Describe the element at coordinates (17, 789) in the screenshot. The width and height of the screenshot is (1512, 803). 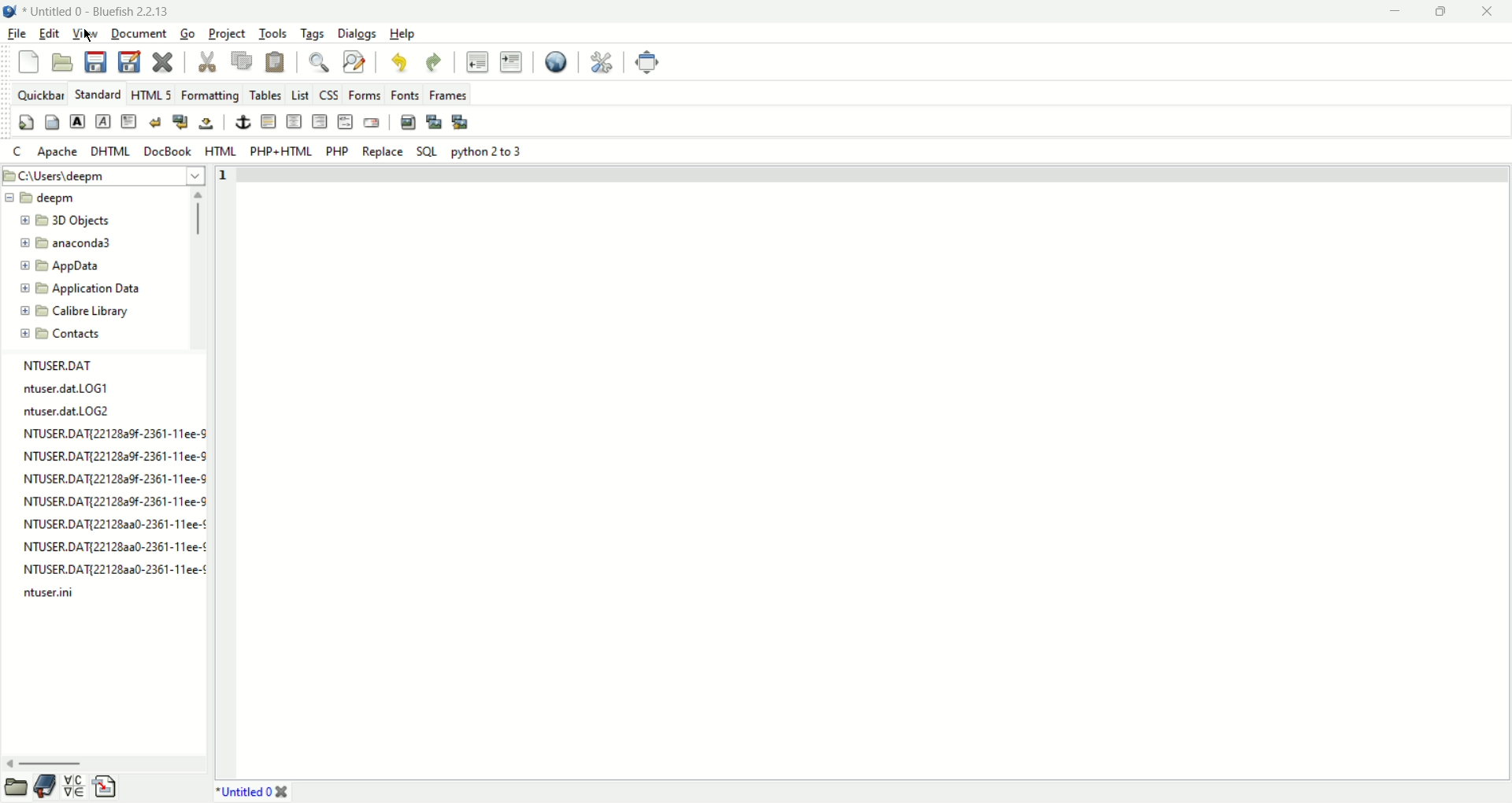
I see `file browser` at that location.